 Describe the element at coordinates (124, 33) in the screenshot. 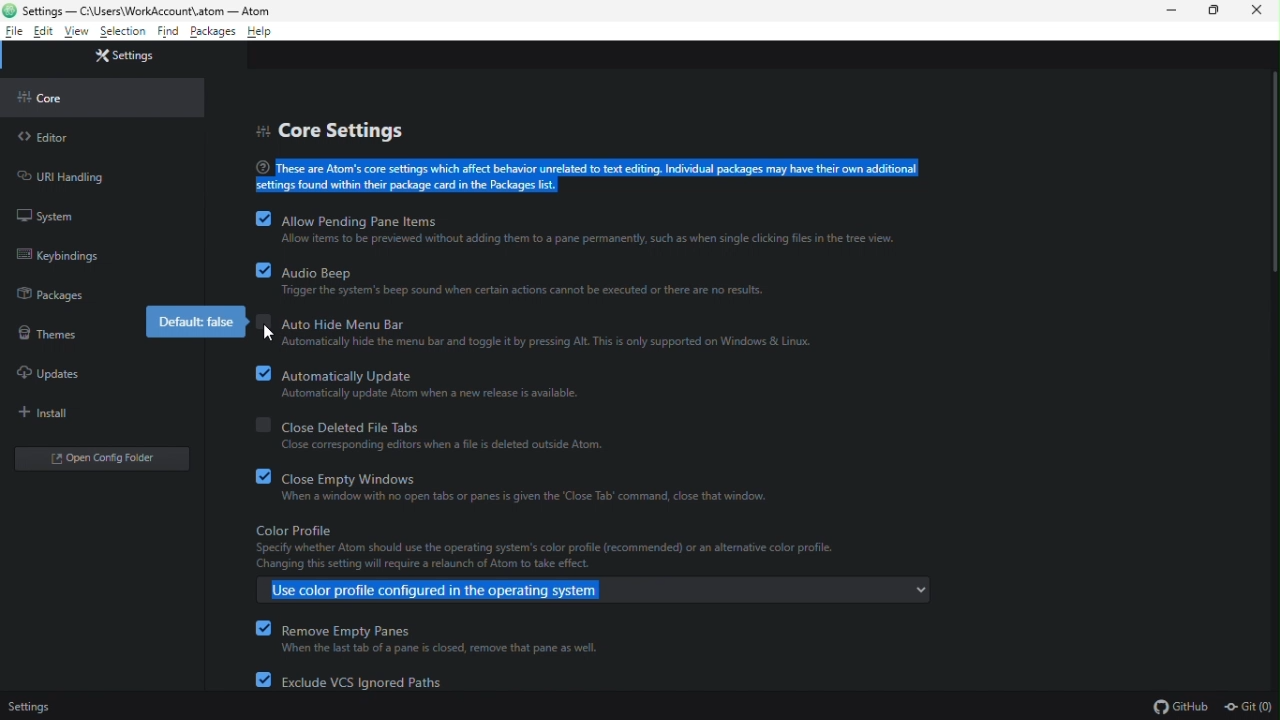

I see `selection` at that location.